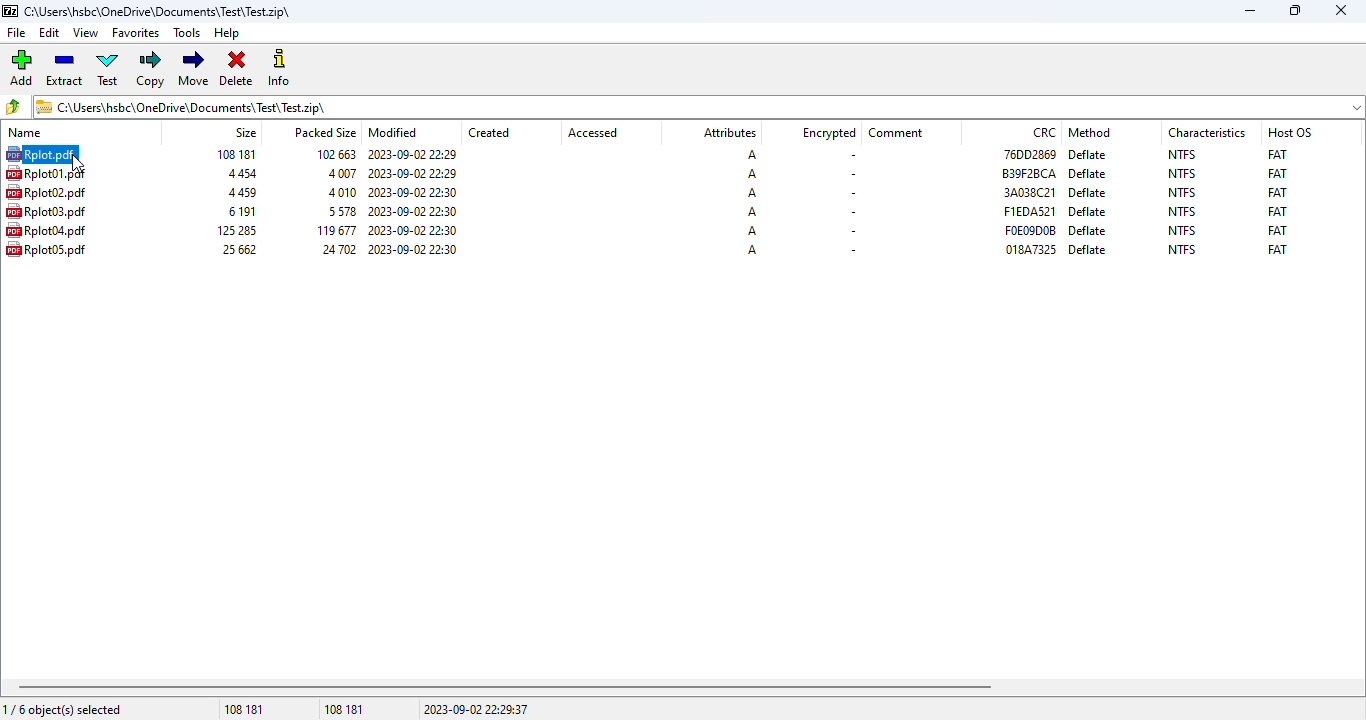 The width and height of the screenshot is (1366, 720). Describe the element at coordinates (335, 249) in the screenshot. I see `packed size` at that location.